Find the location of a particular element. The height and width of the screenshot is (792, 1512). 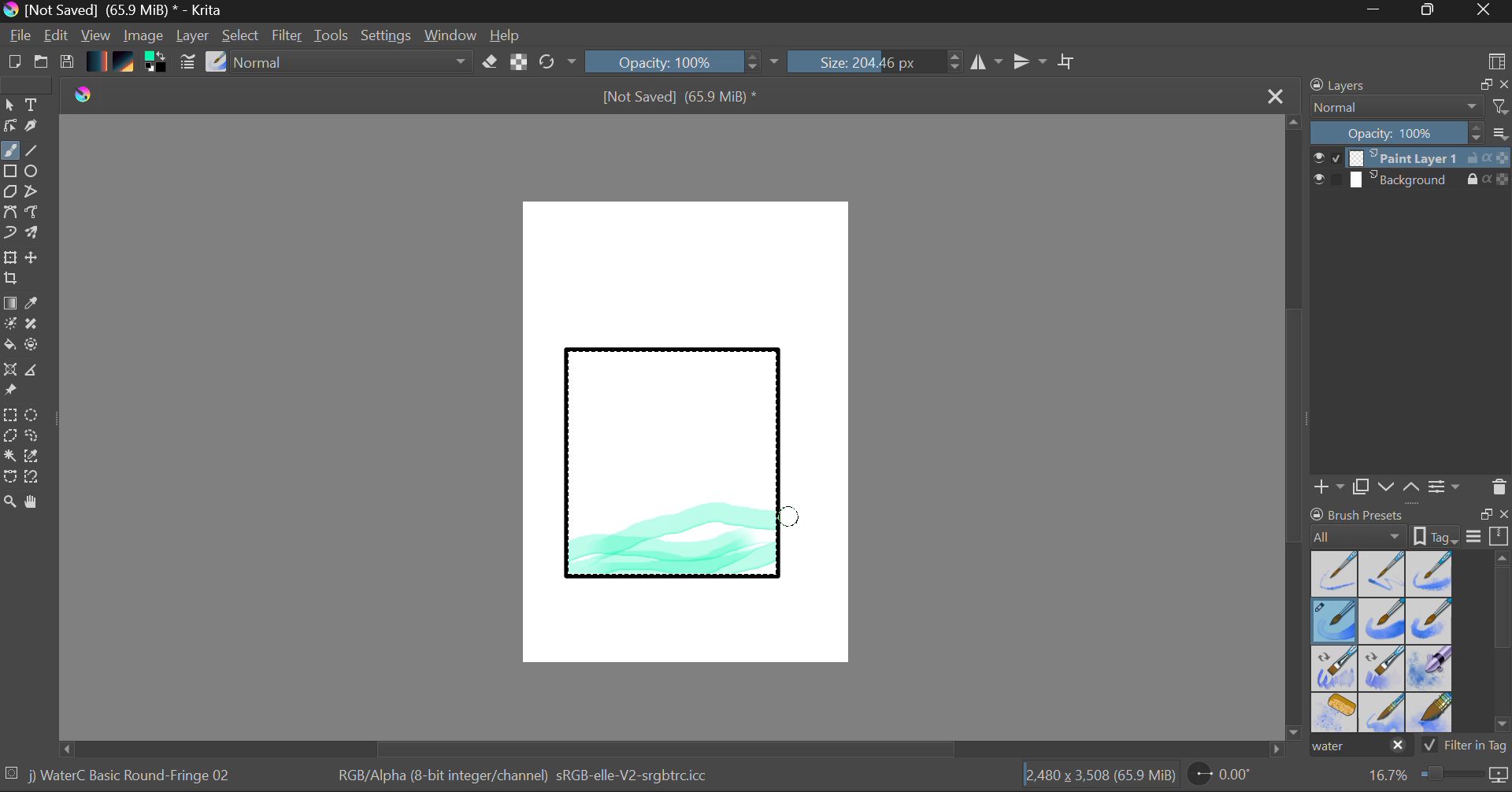

Transform Layer is located at coordinates (9, 256).